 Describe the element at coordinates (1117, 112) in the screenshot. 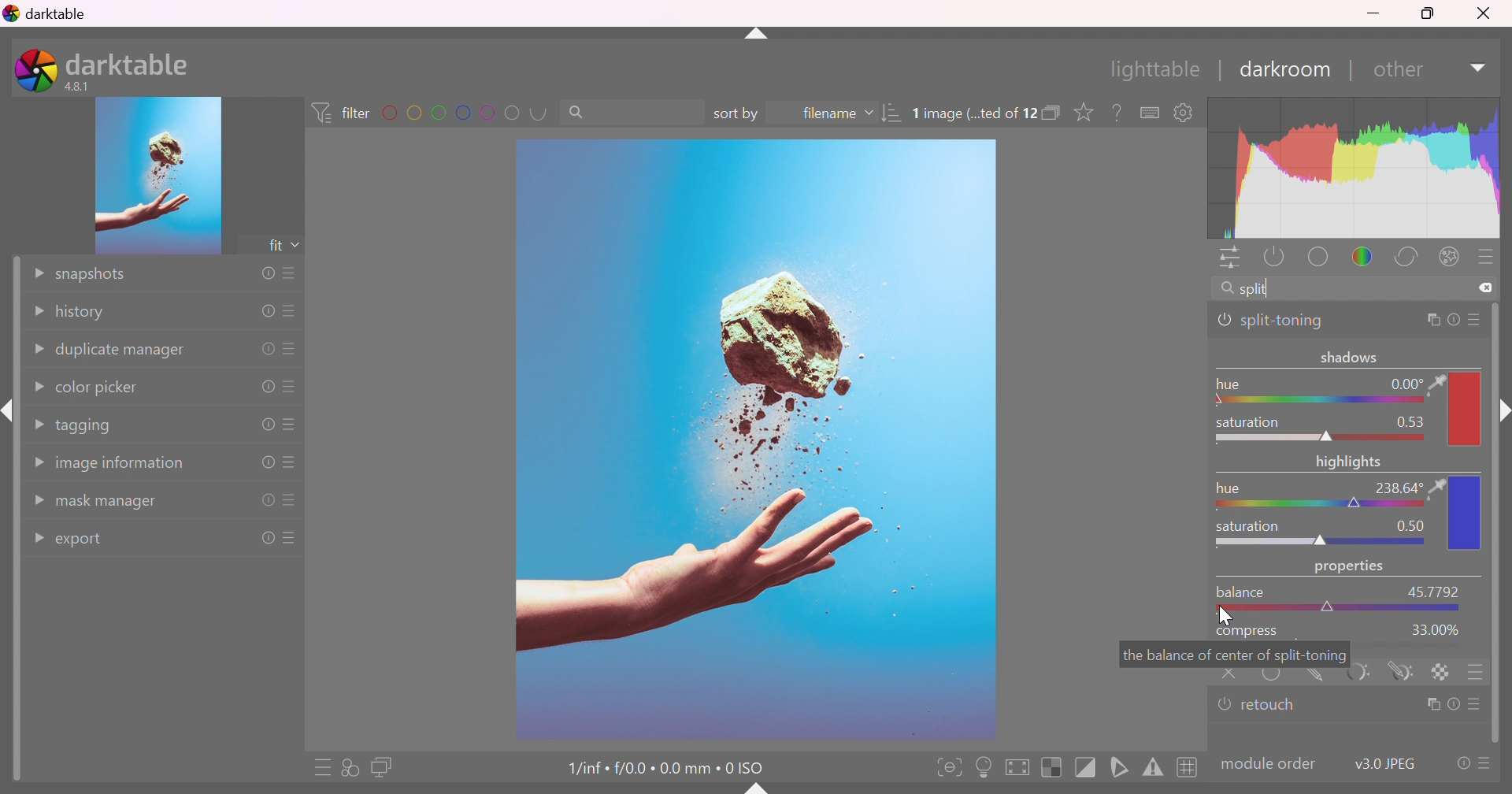

I see `enable this, then click on a control element to see its online help` at that location.